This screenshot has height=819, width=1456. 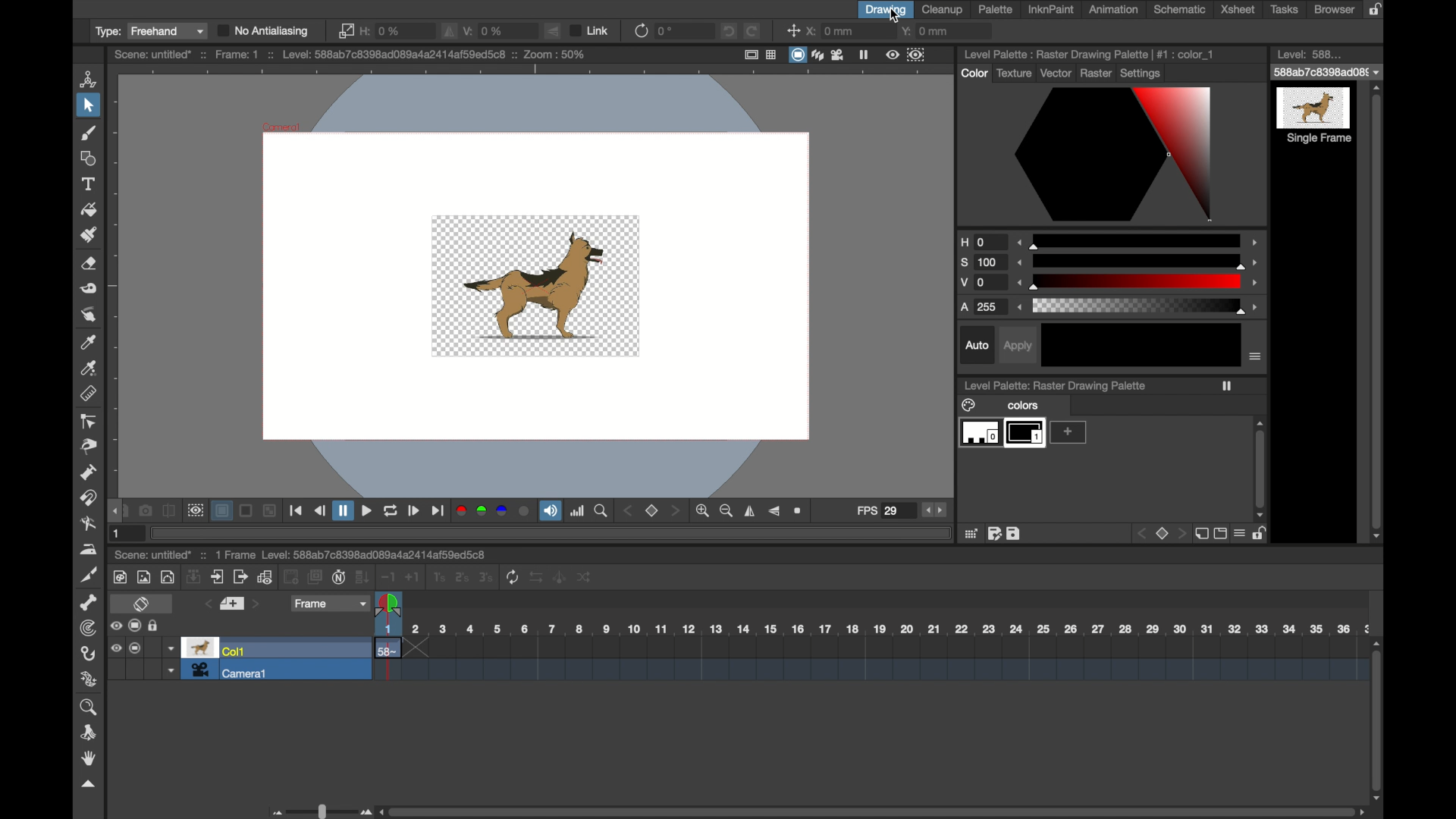 I want to click on zoom, so click(x=714, y=511).